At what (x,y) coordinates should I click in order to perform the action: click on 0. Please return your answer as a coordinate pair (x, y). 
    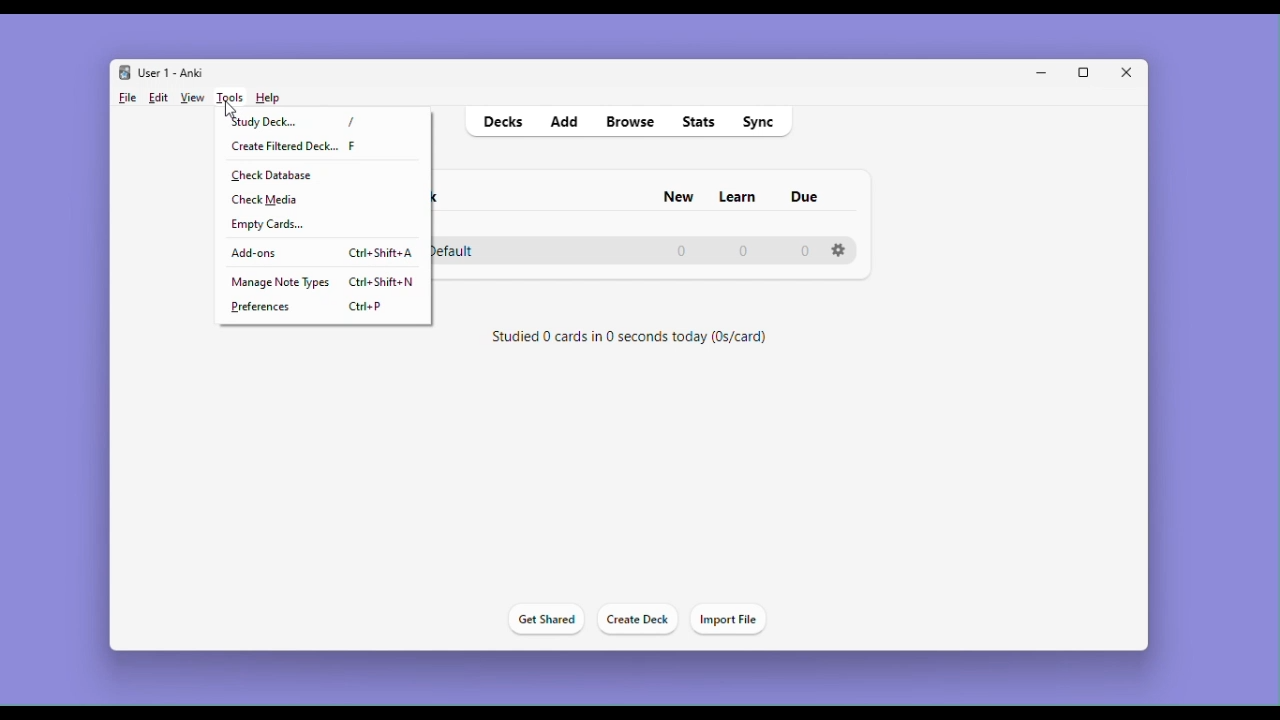
    Looking at the image, I should click on (742, 252).